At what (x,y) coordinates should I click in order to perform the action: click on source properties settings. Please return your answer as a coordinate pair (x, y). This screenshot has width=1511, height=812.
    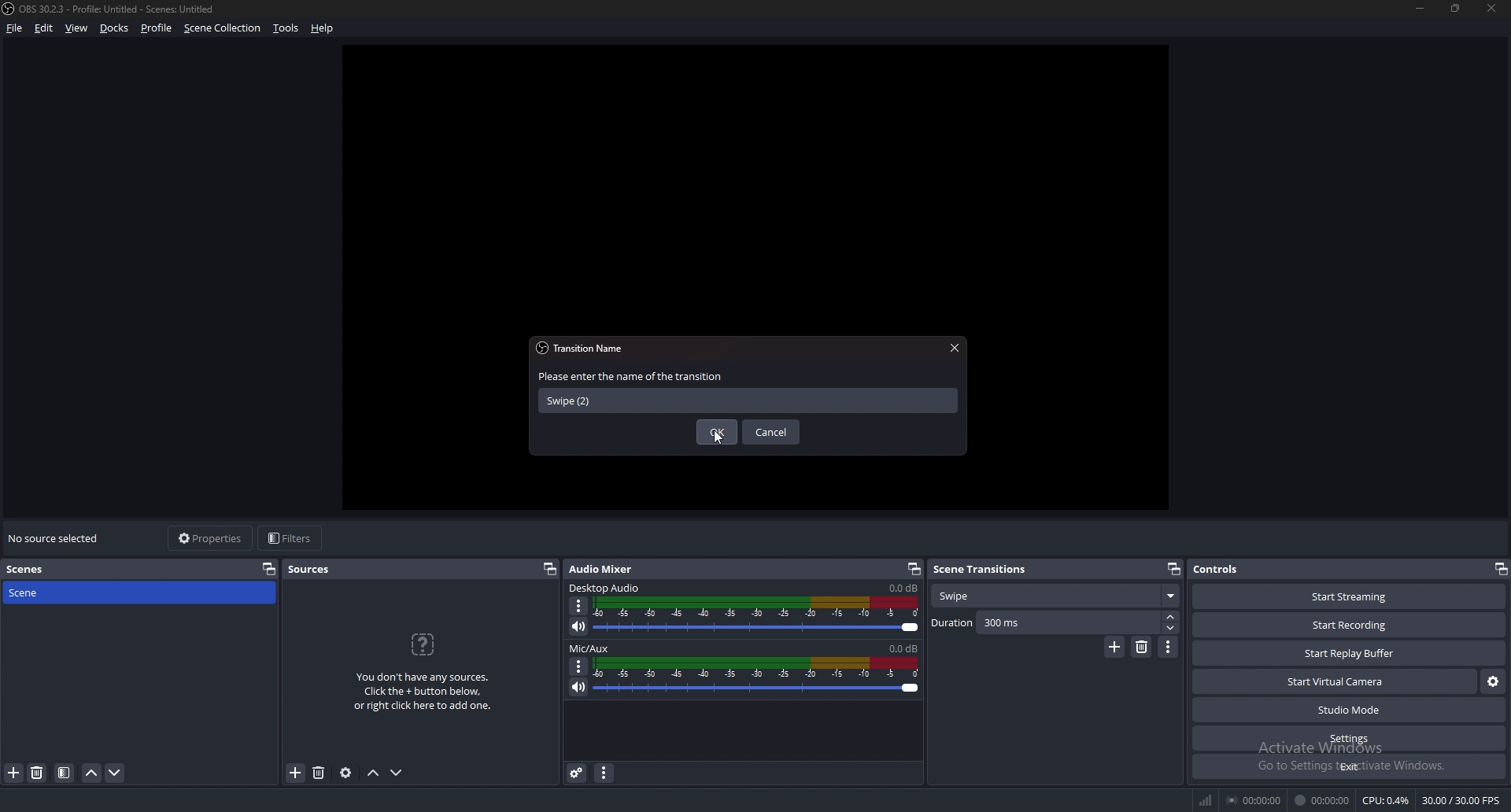
    Looking at the image, I should click on (347, 773).